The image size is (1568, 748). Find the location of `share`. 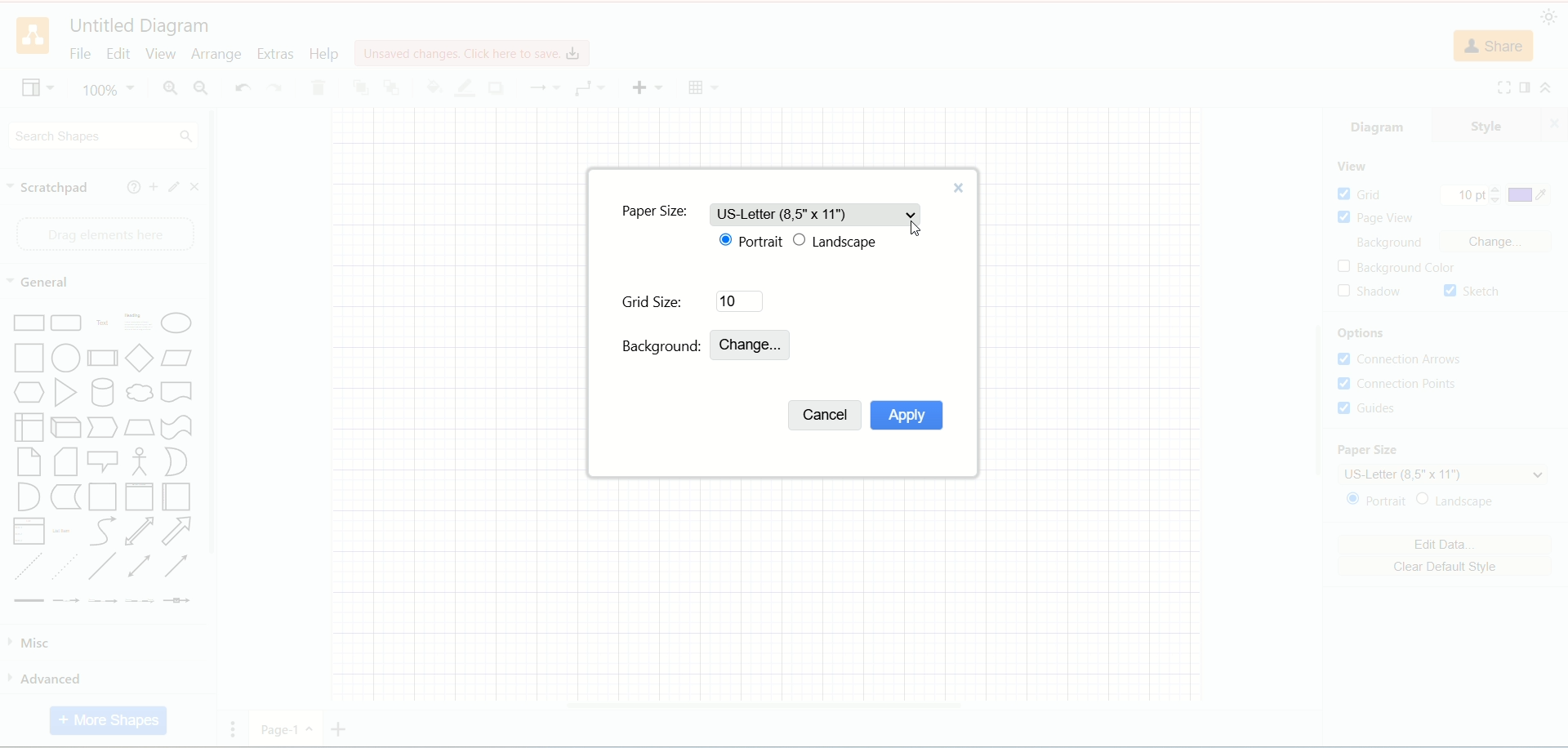

share is located at coordinates (1496, 47).